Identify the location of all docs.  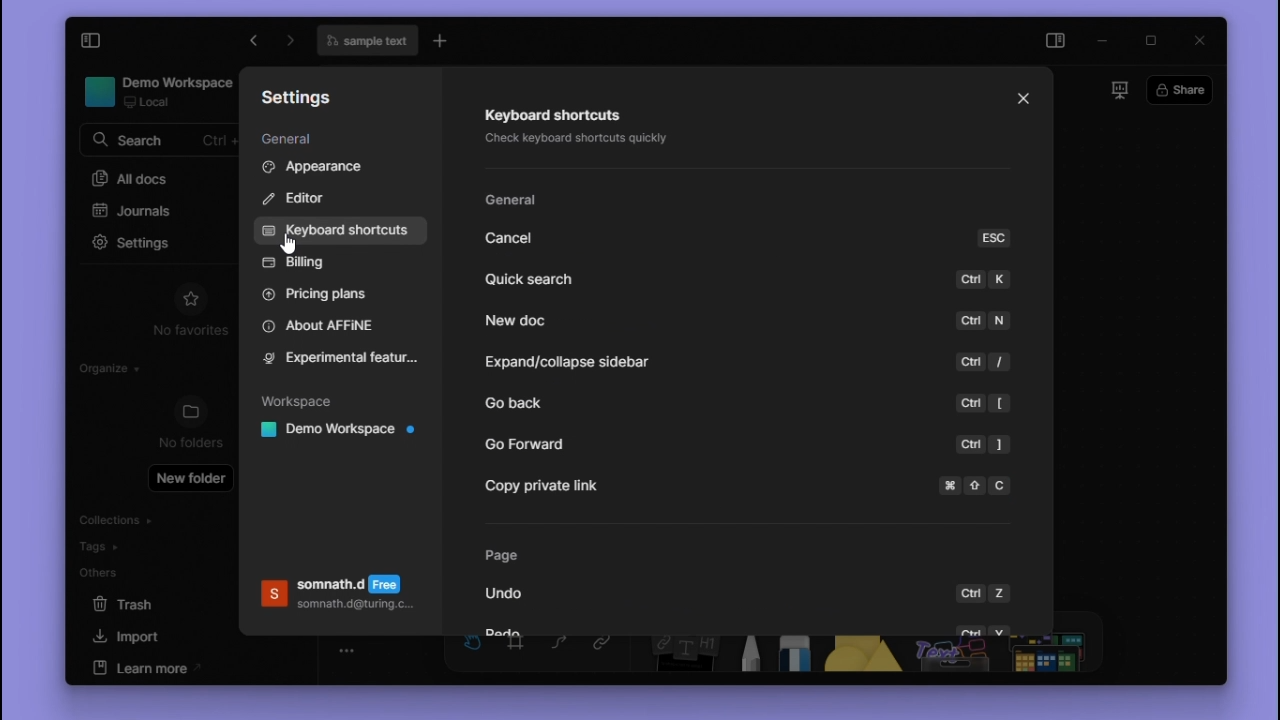
(159, 176).